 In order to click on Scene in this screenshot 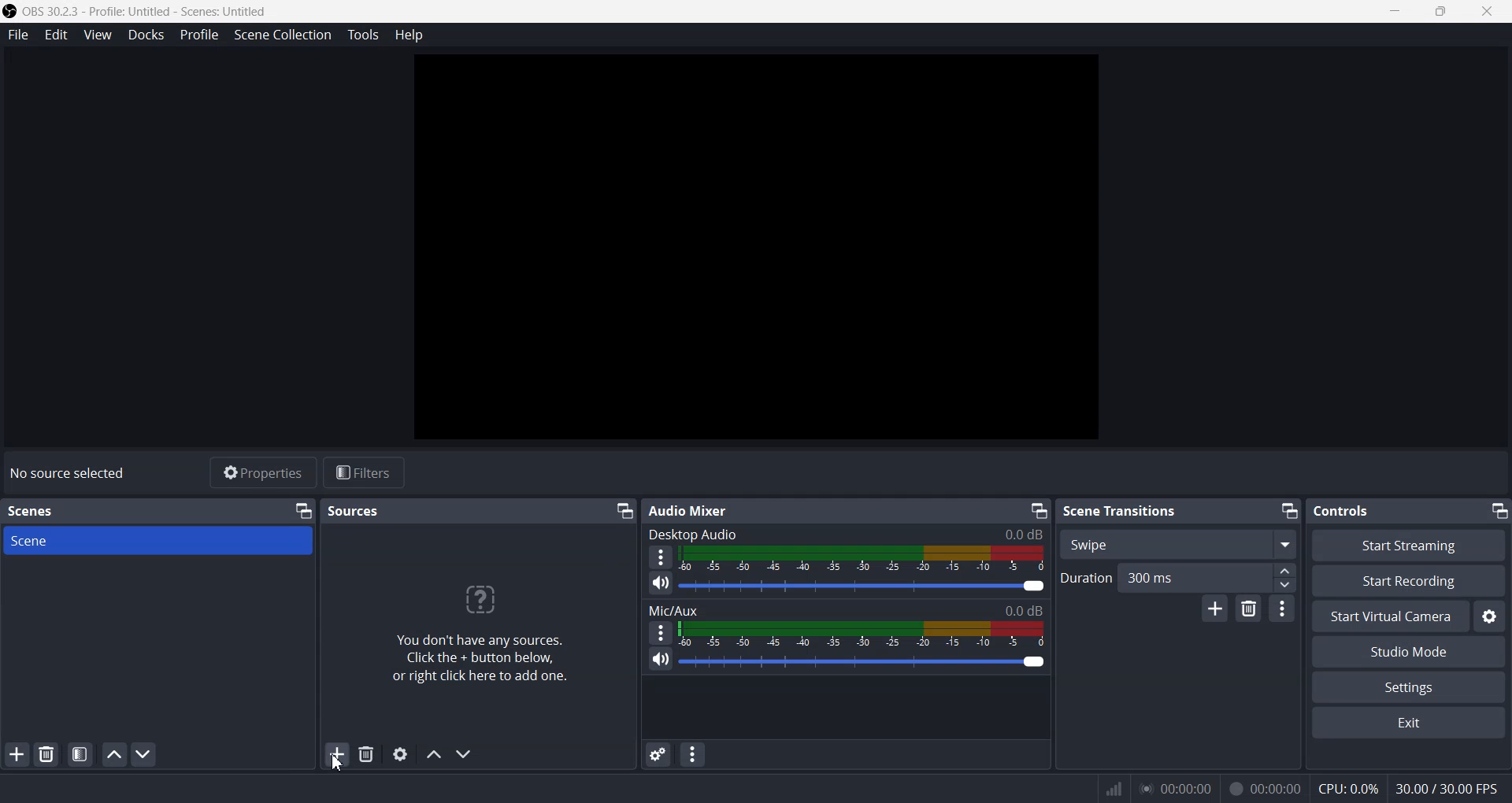, I will do `click(157, 542)`.